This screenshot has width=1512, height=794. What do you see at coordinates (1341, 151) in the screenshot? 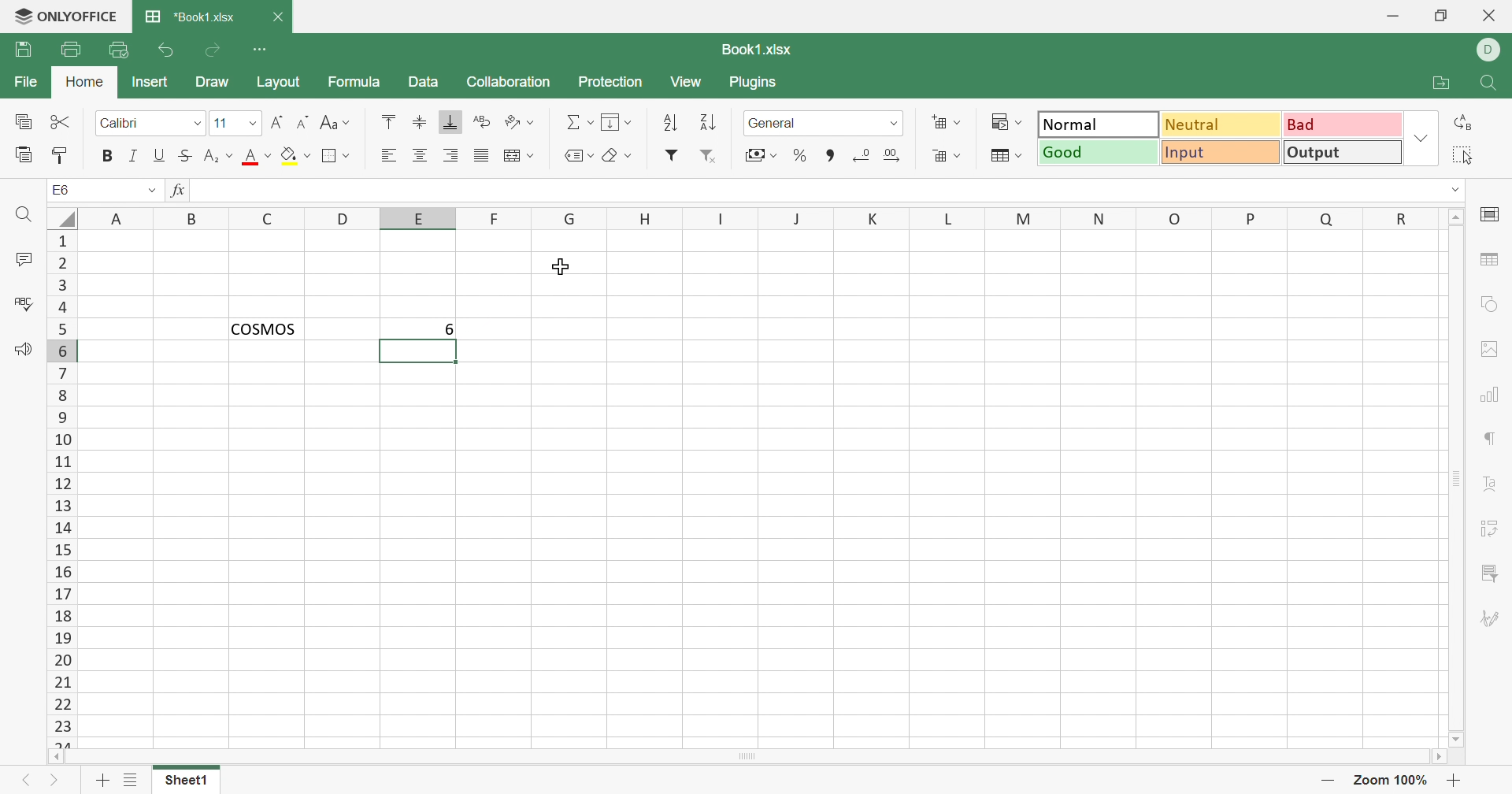
I see `Output` at bounding box center [1341, 151].